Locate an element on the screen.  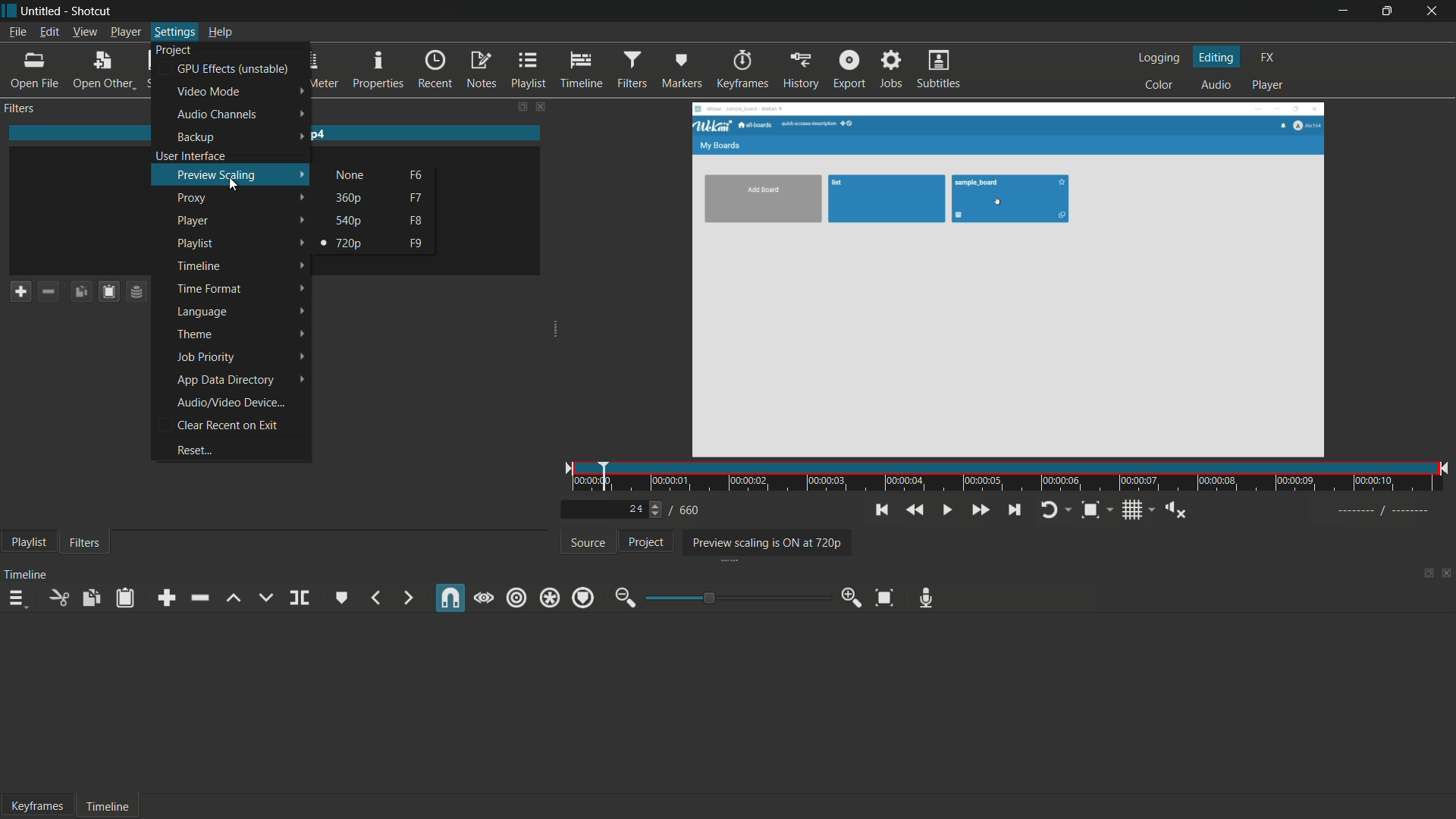
player is located at coordinates (1267, 86).